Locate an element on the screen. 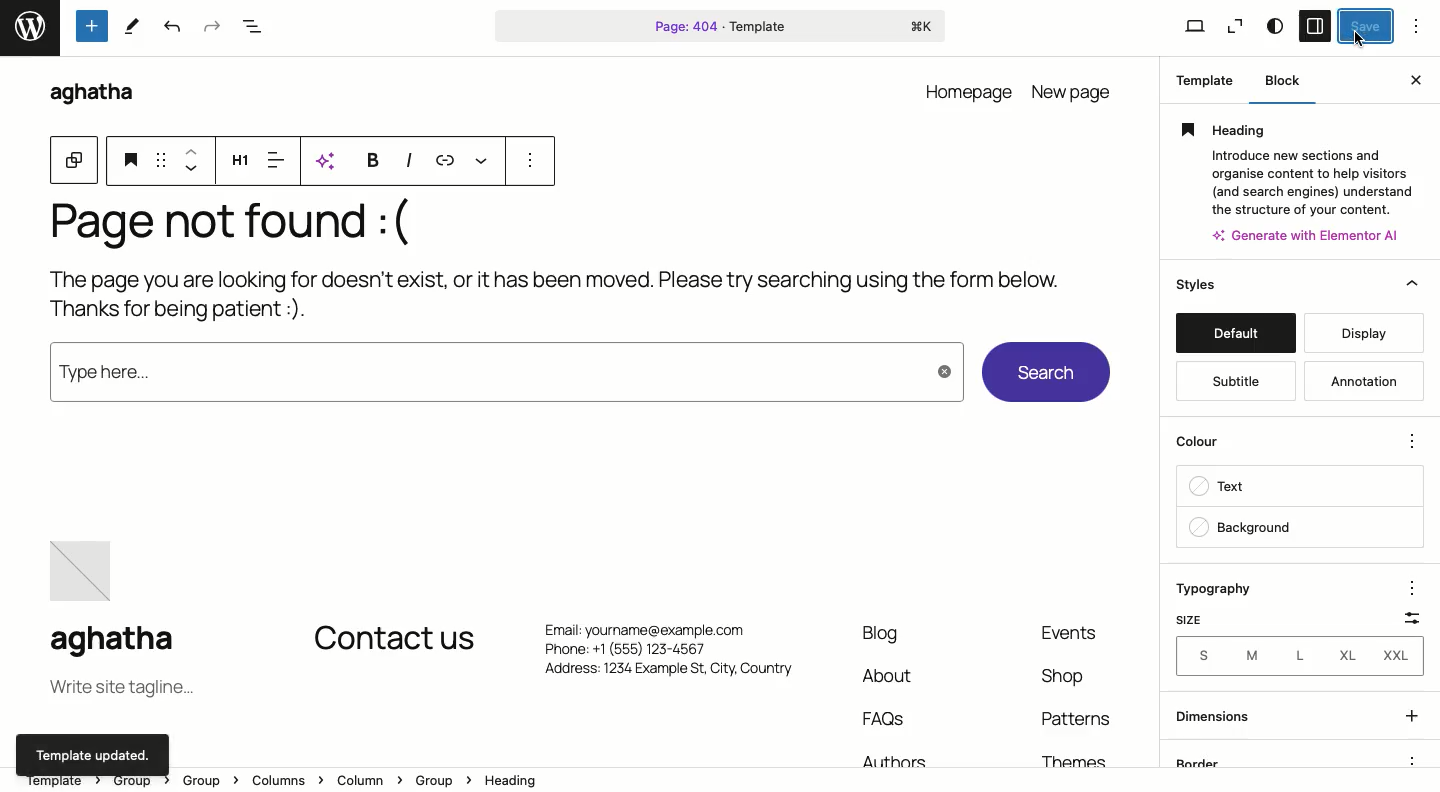 Image resolution: width=1440 pixels, height=792 pixels. annotation is located at coordinates (1363, 380).